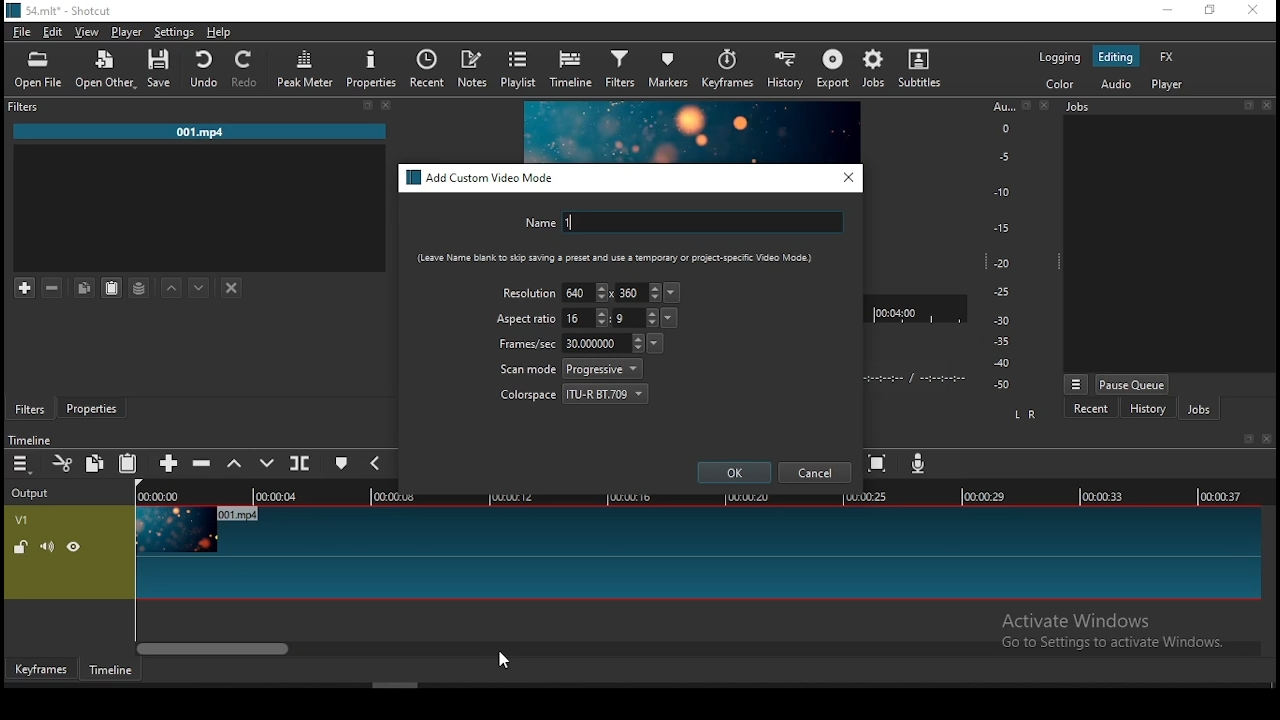 Image resolution: width=1280 pixels, height=720 pixels. Describe the element at coordinates (1026, 106) in the screenshot. I see `restore` at that location.